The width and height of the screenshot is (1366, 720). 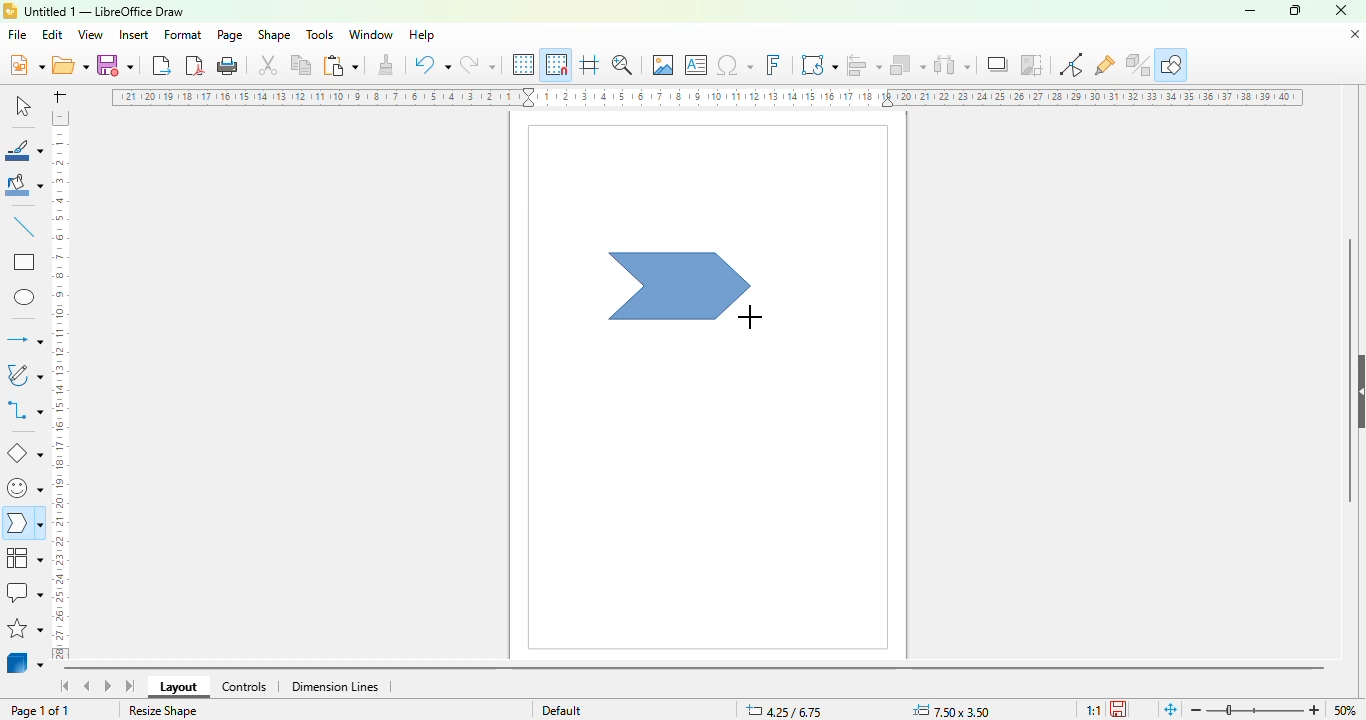 I want to click on basic shapes, so click(x=25, y=454).